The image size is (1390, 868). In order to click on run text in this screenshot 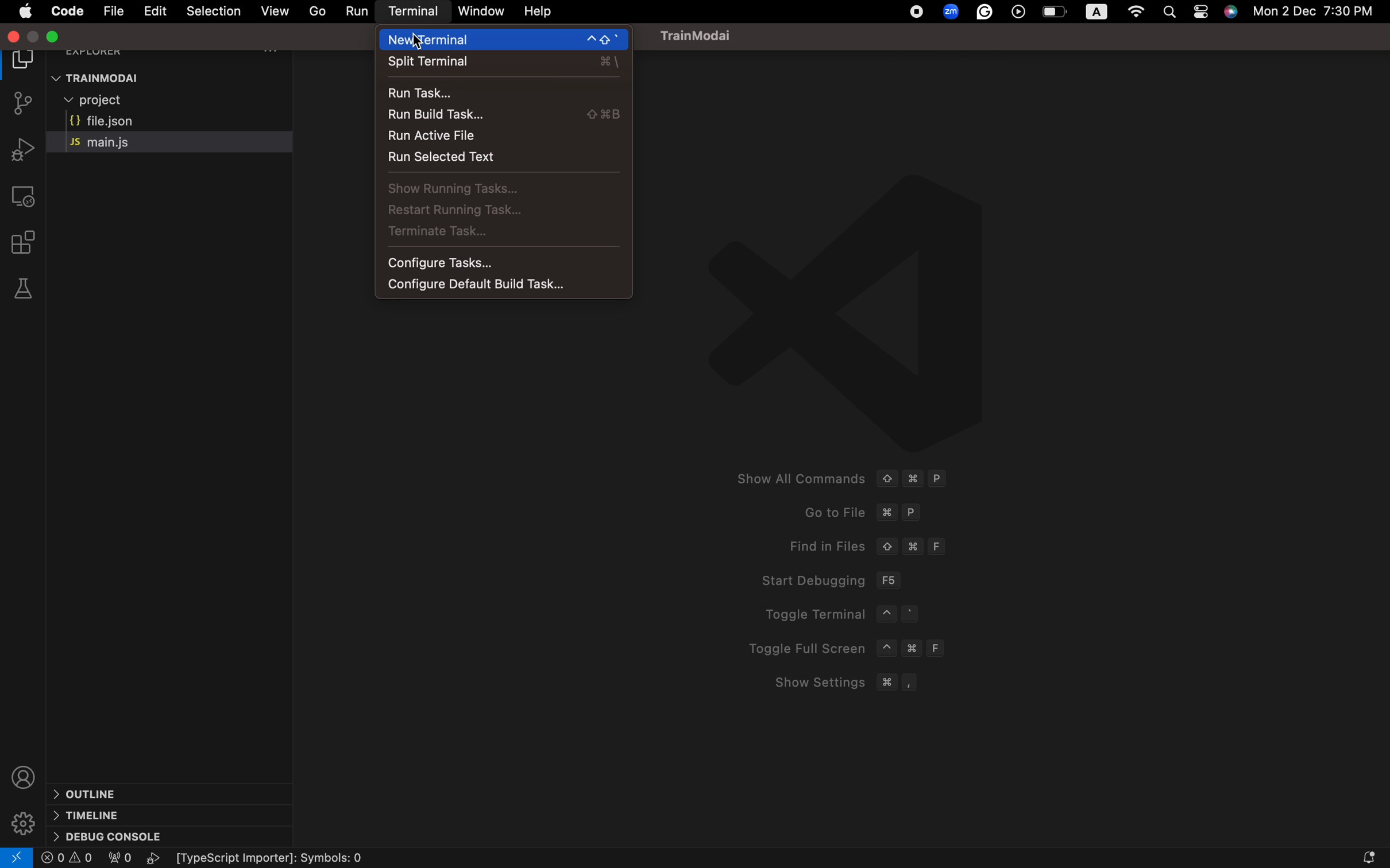, I will do `click(501, 160)`.